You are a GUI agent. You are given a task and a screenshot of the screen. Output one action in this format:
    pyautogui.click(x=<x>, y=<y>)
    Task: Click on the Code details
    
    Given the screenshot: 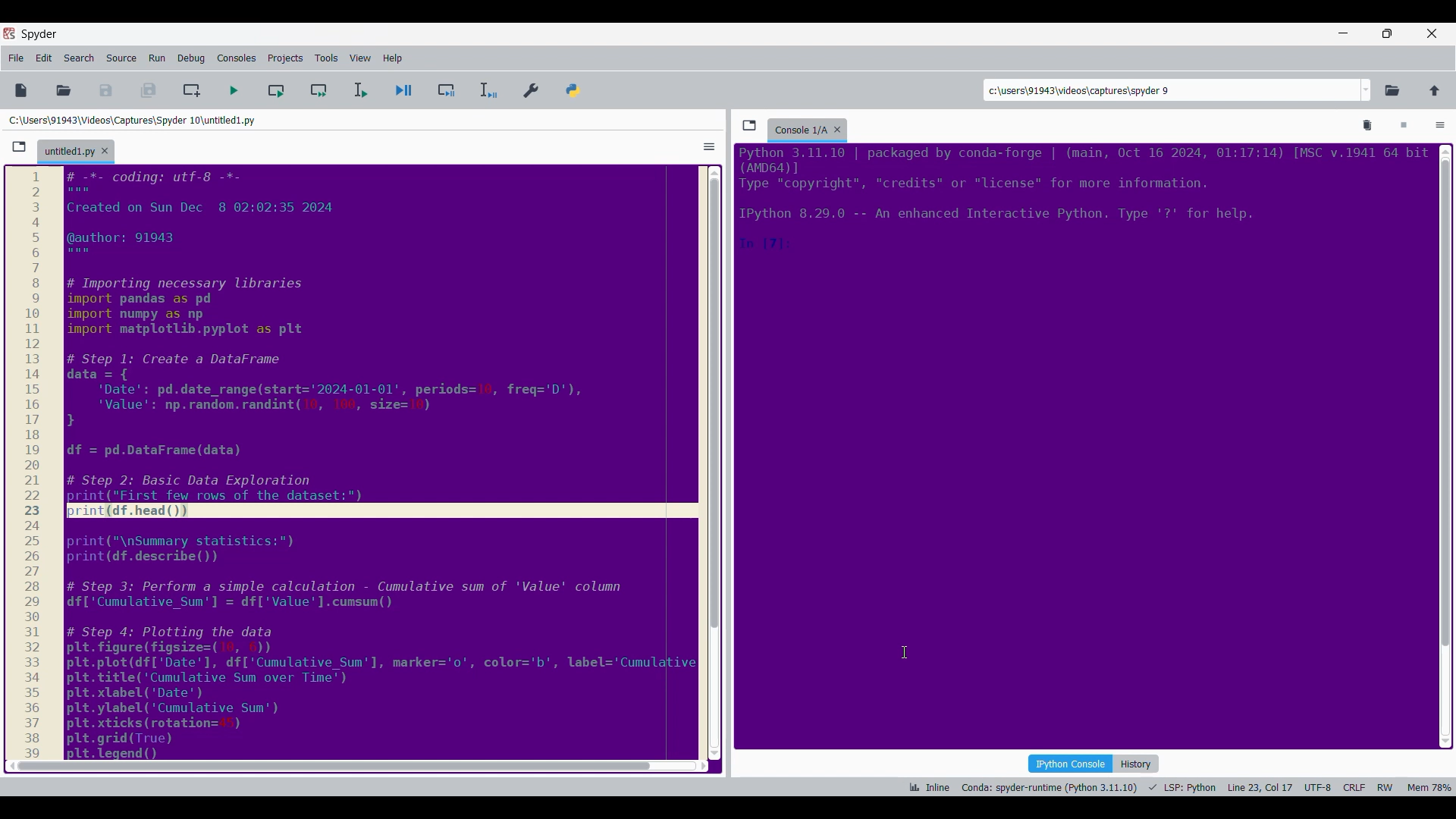 What is the action you would take?
    pyautogui.click(x=1178, y=787)
    